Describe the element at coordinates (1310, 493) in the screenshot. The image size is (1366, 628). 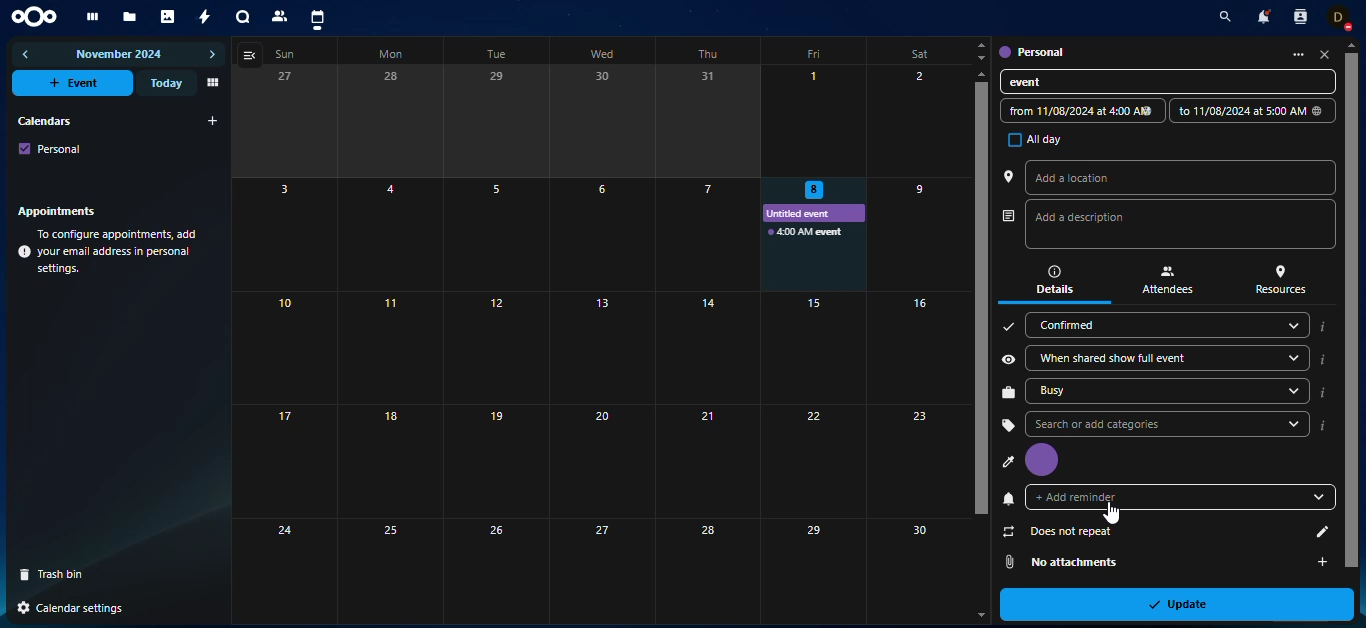
I see `drop down` at that location.